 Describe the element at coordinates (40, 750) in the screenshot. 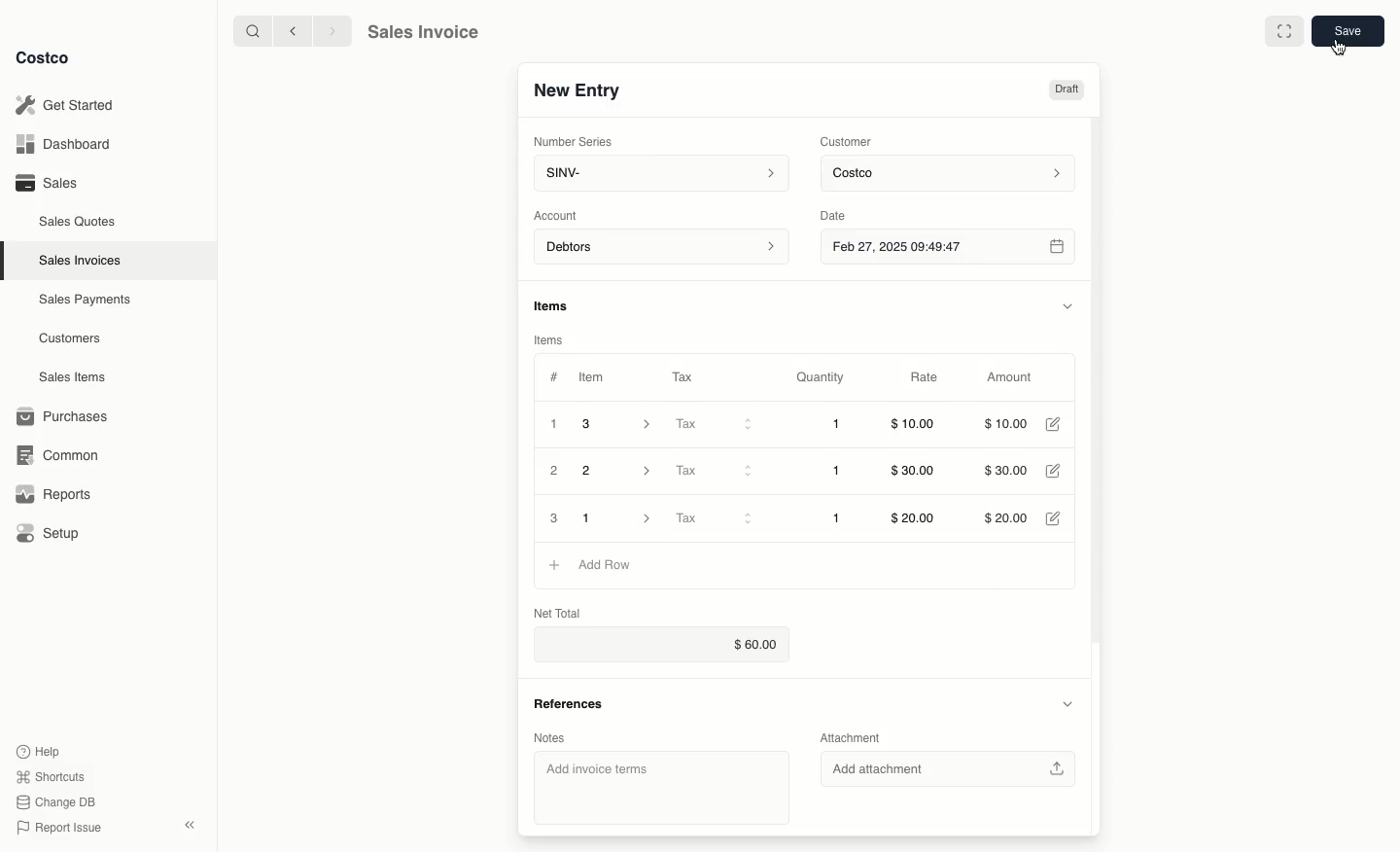

I see `Help` at that location.